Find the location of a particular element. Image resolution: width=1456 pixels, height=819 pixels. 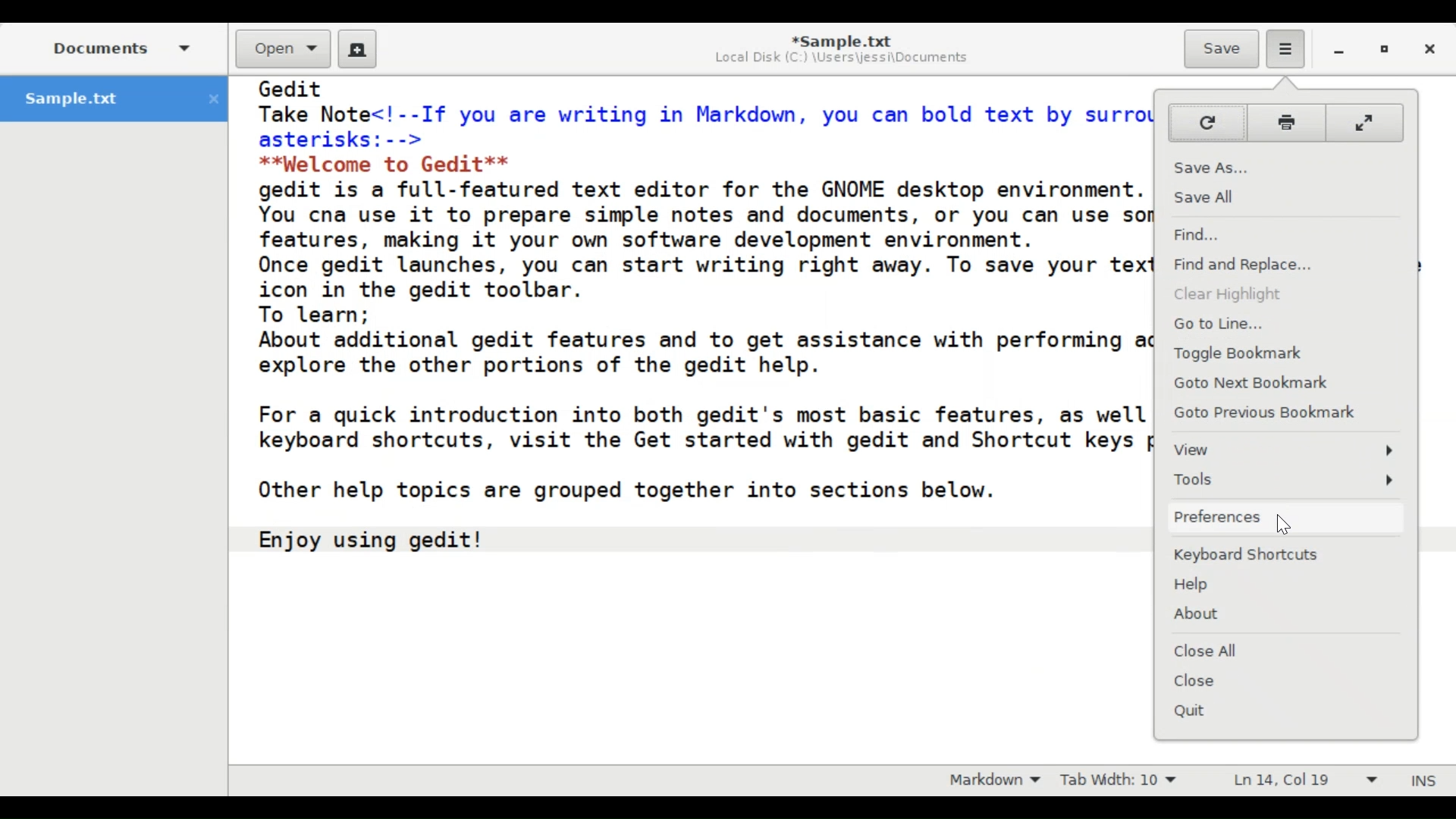

Quit is located at coordinates (1287, 711).